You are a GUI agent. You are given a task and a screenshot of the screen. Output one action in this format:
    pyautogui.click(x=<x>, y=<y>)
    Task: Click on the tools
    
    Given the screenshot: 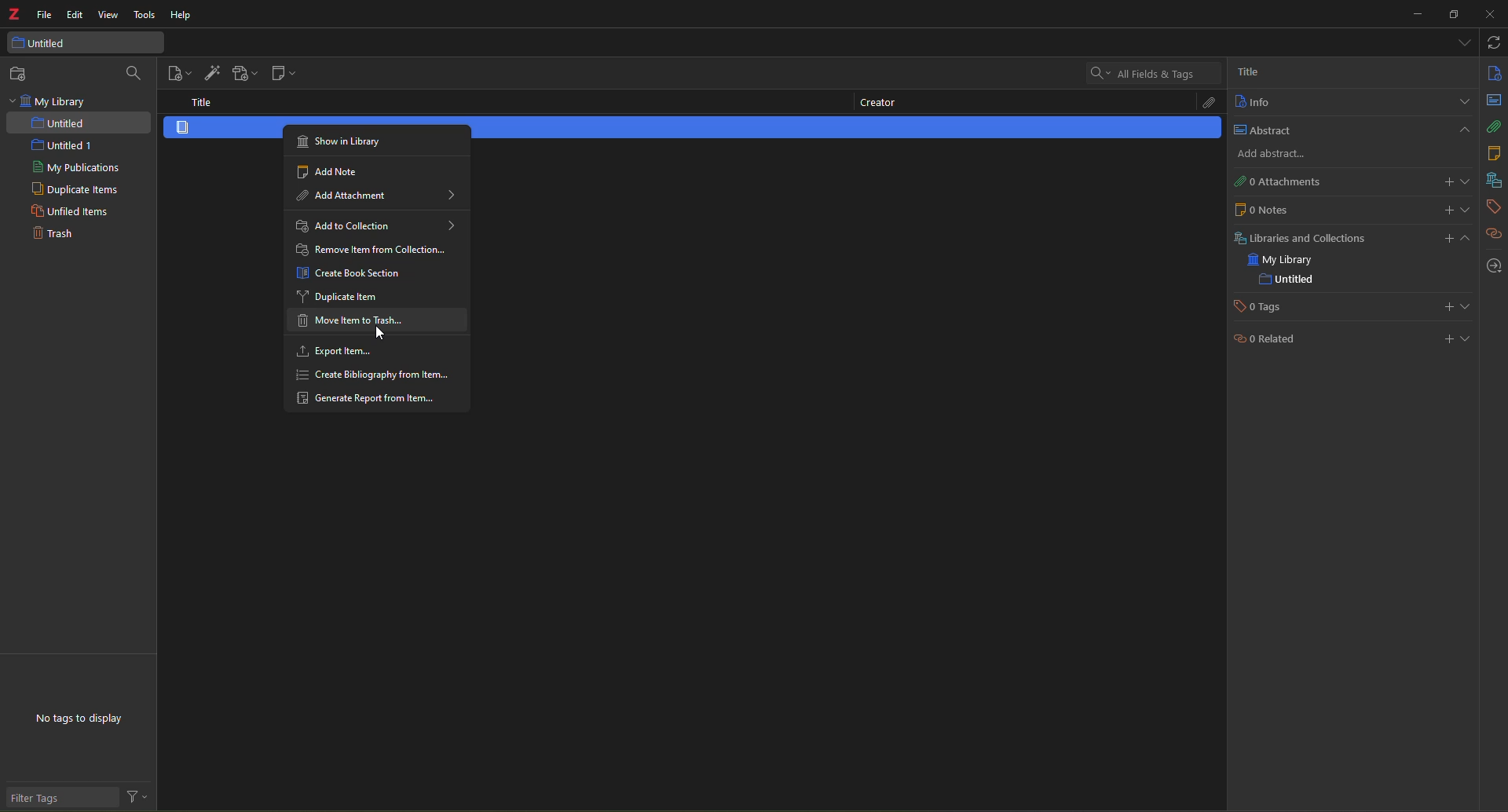 What is the action you would take?
    pyautogui.click(x=144, y=16)
    